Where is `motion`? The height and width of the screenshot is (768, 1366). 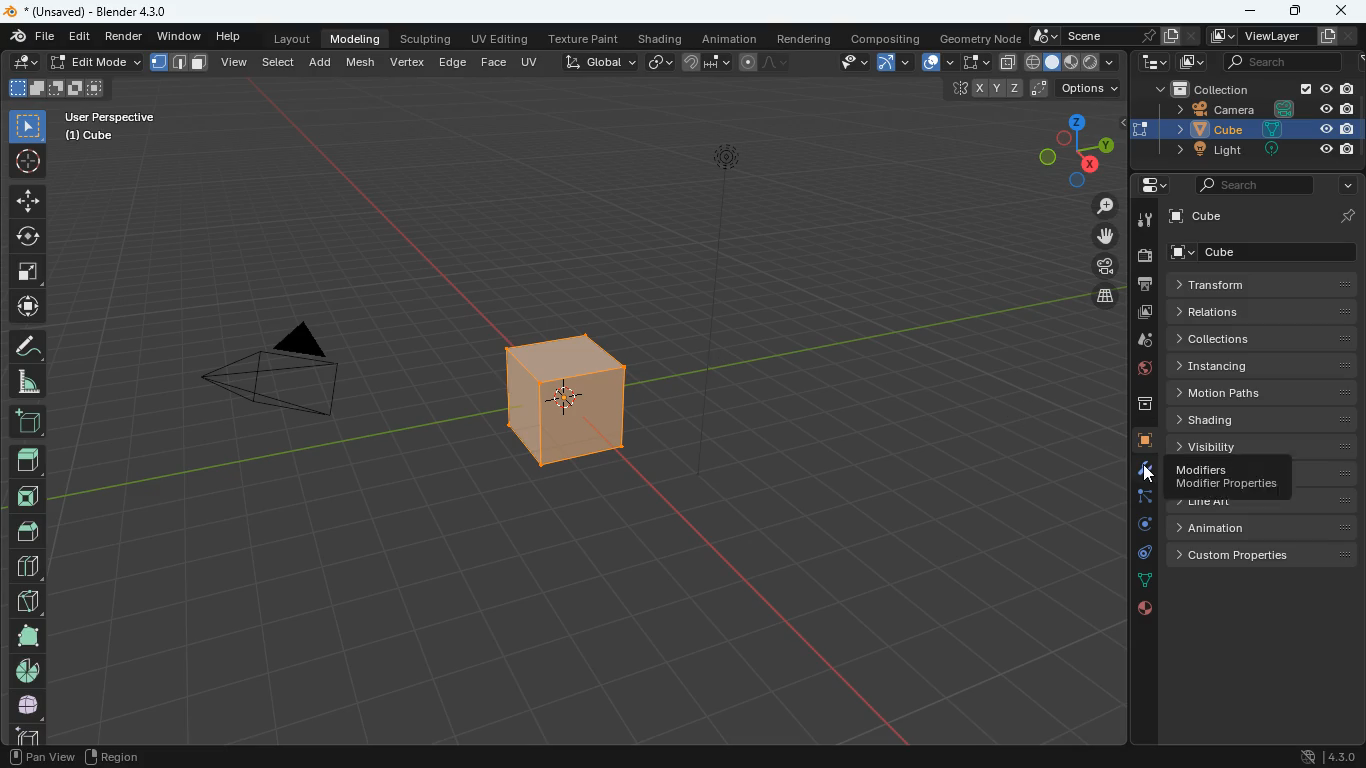
motion is located at coordinates (1262, 392).